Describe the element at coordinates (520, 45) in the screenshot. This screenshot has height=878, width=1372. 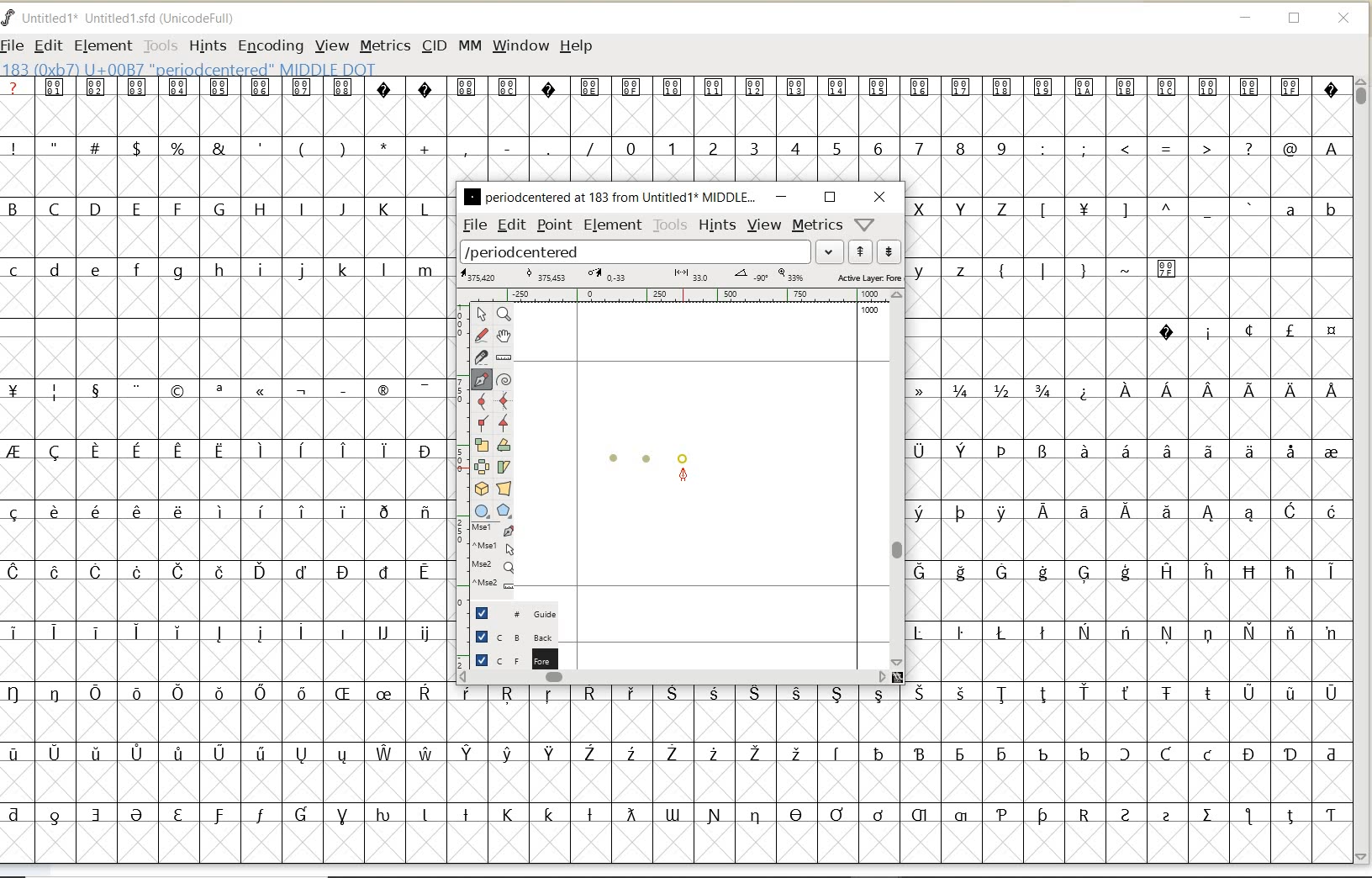
I see `WINDOW` at that location.